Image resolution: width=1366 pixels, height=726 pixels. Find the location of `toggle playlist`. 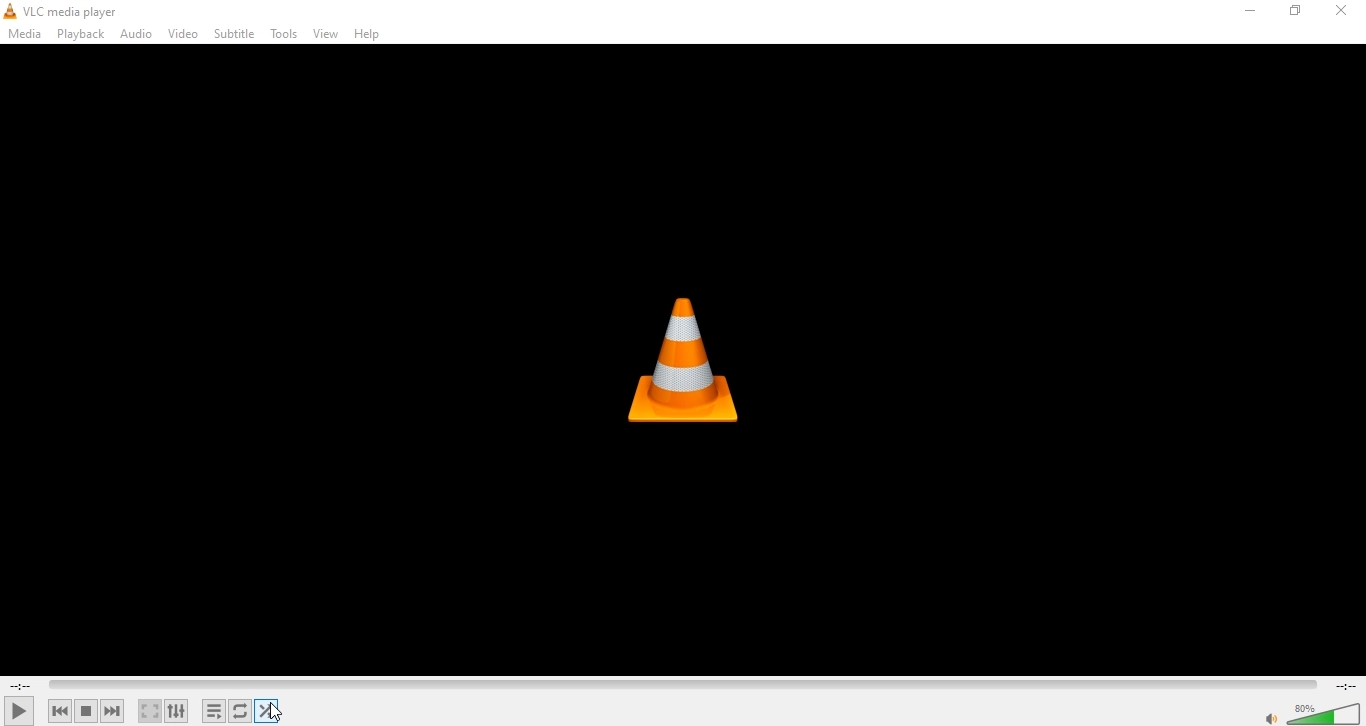

toggle playlist is located at coordinates (215, 710).